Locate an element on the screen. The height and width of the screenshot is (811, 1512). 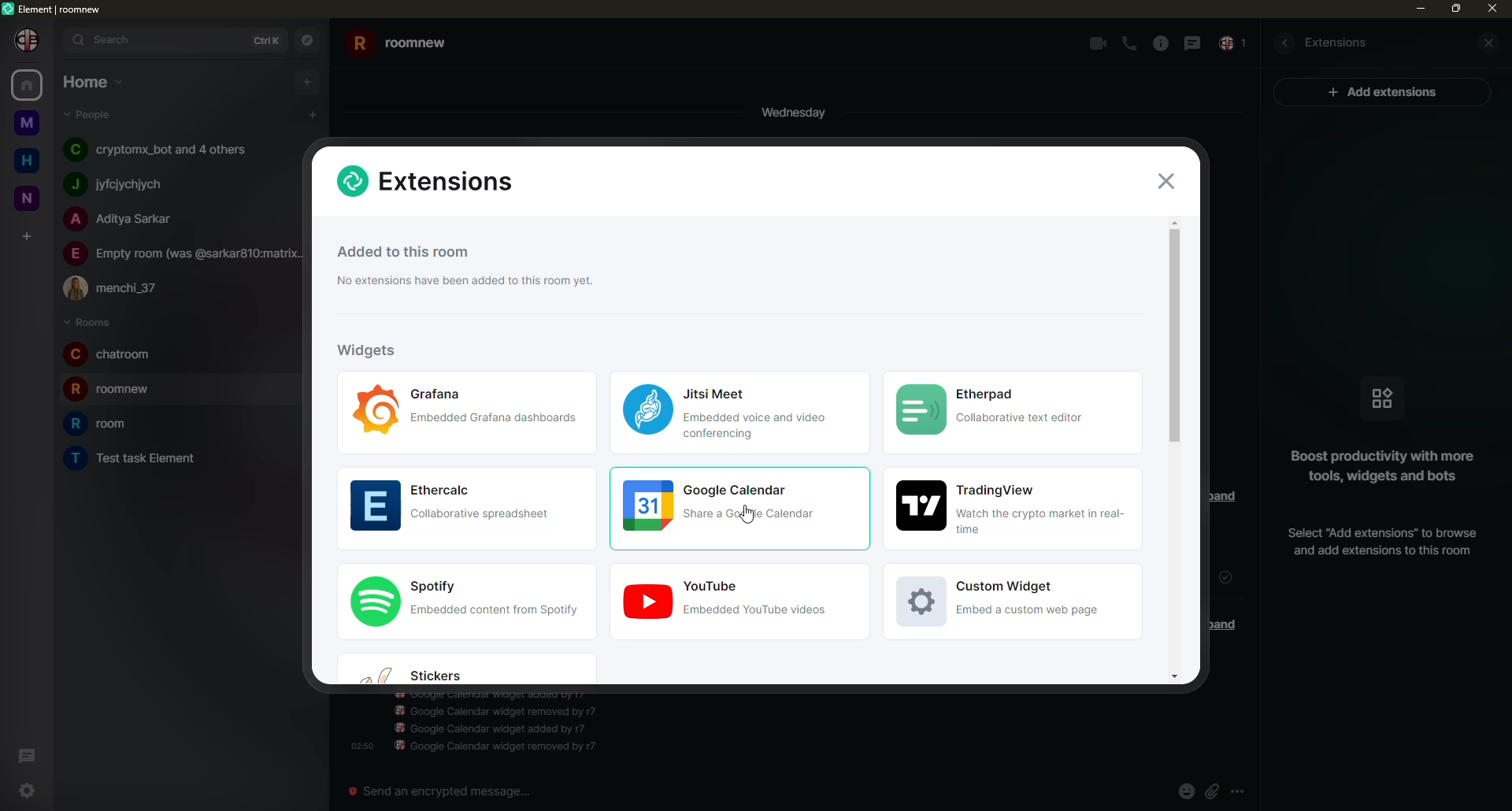
add is located at coordinates (308, 81).